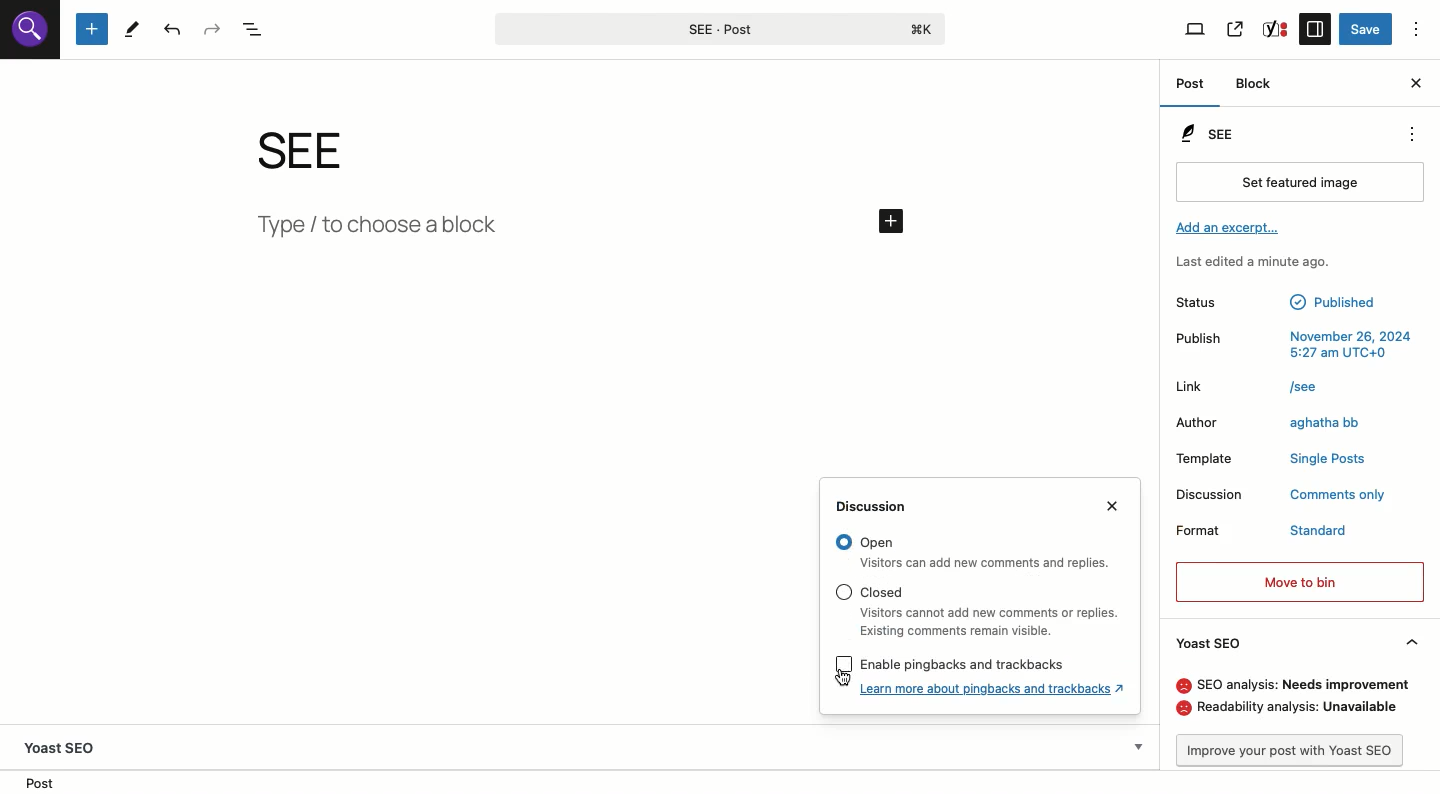  What do you see at coordinates (1317, 29) in the screenshot?
I see `Sidebar` at bounding box center [1317, 29].